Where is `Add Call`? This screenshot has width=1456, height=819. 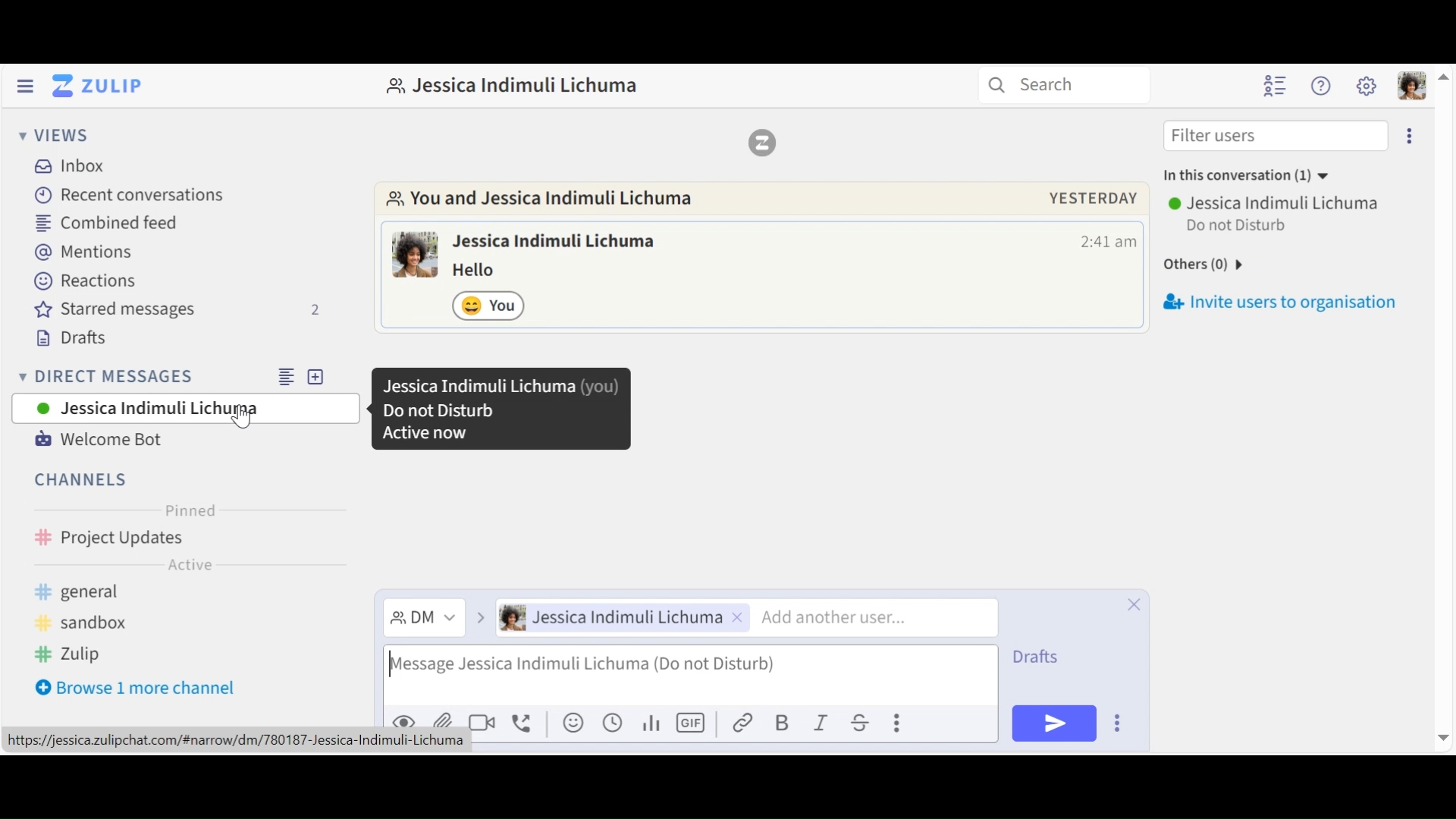 Add Call is located at coordinates (526, 721).